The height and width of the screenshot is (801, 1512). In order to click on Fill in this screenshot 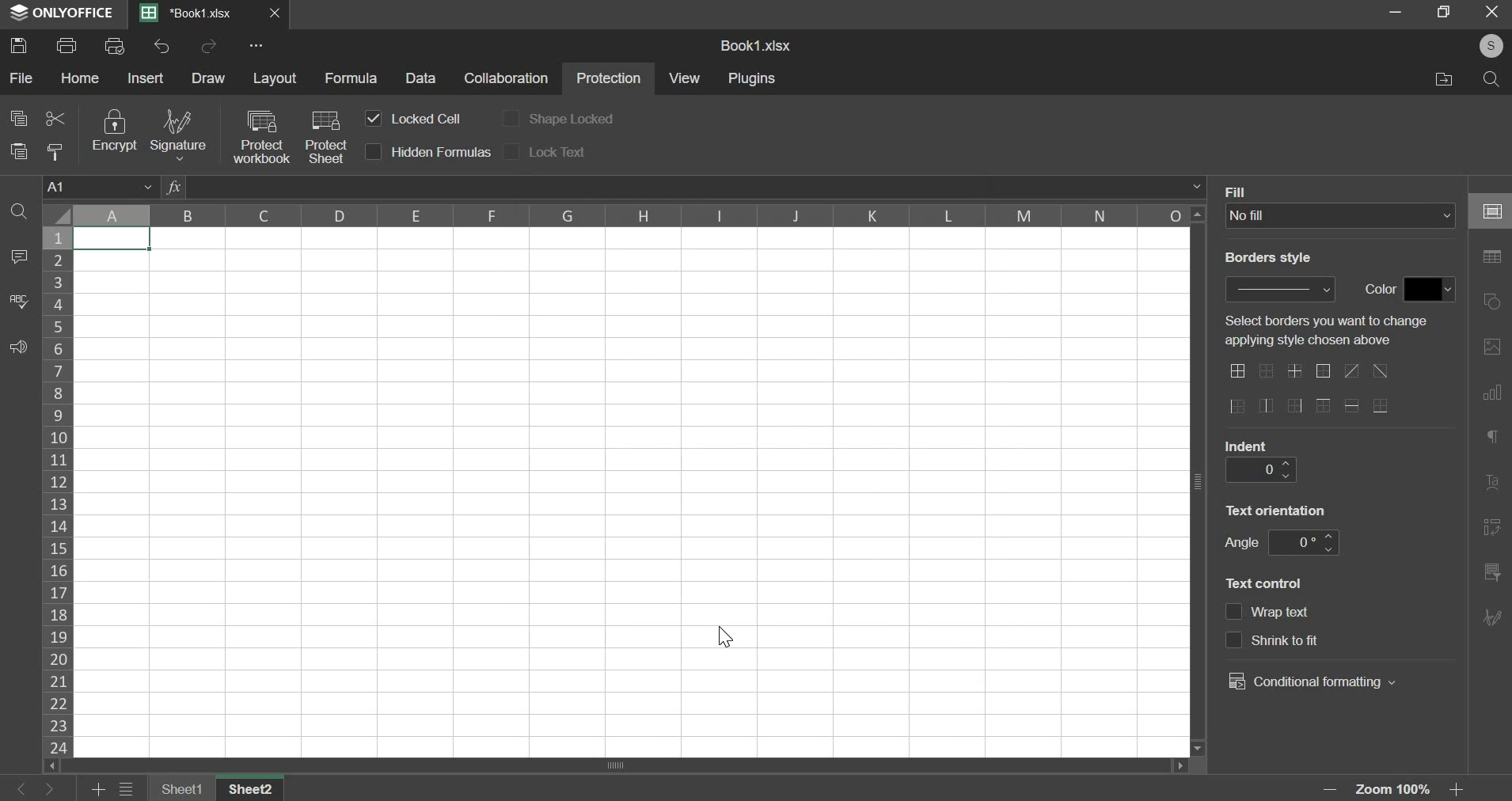, I will do `click(1239, 191)`.